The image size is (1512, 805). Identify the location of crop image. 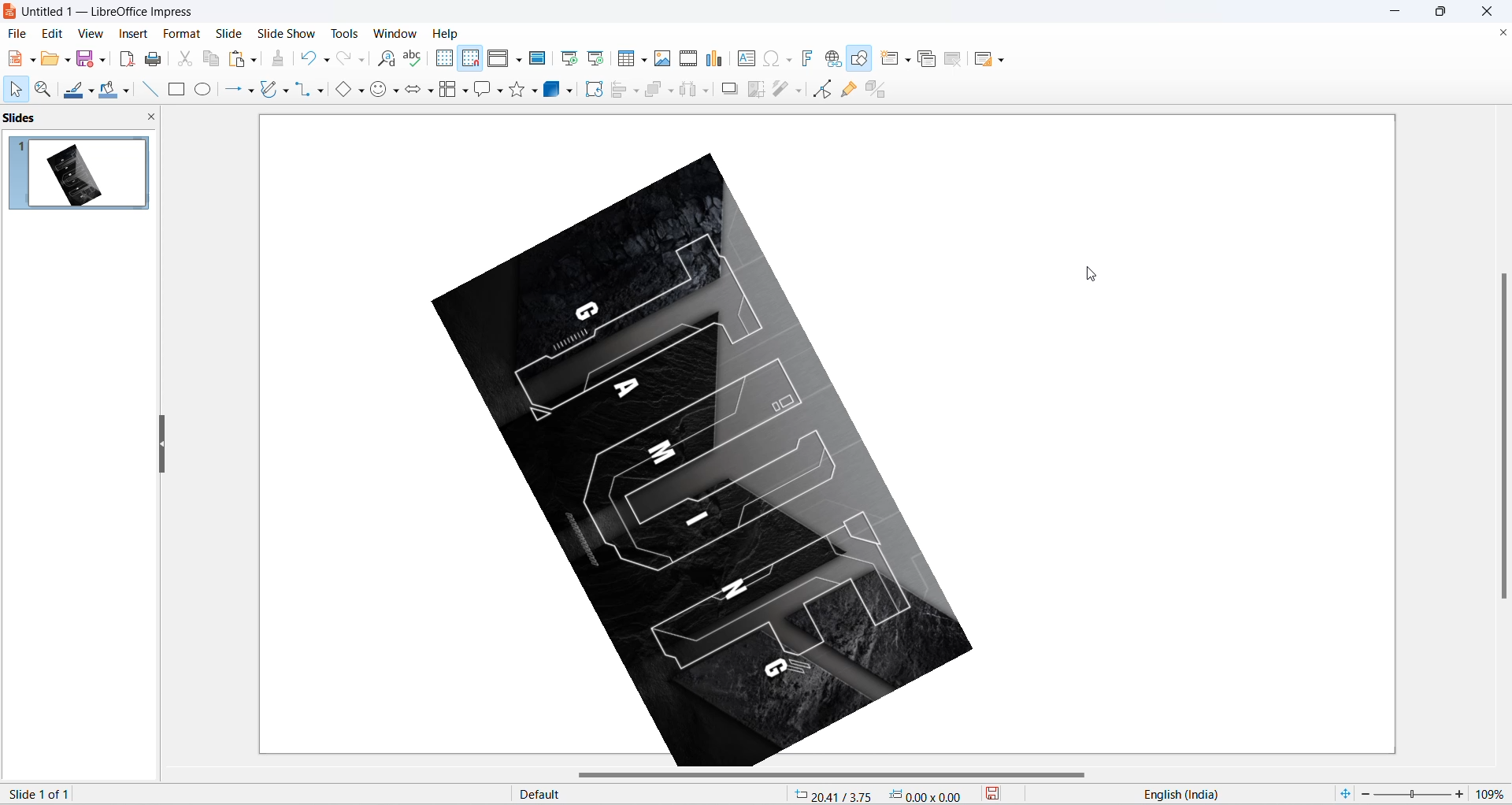
(754, 90).